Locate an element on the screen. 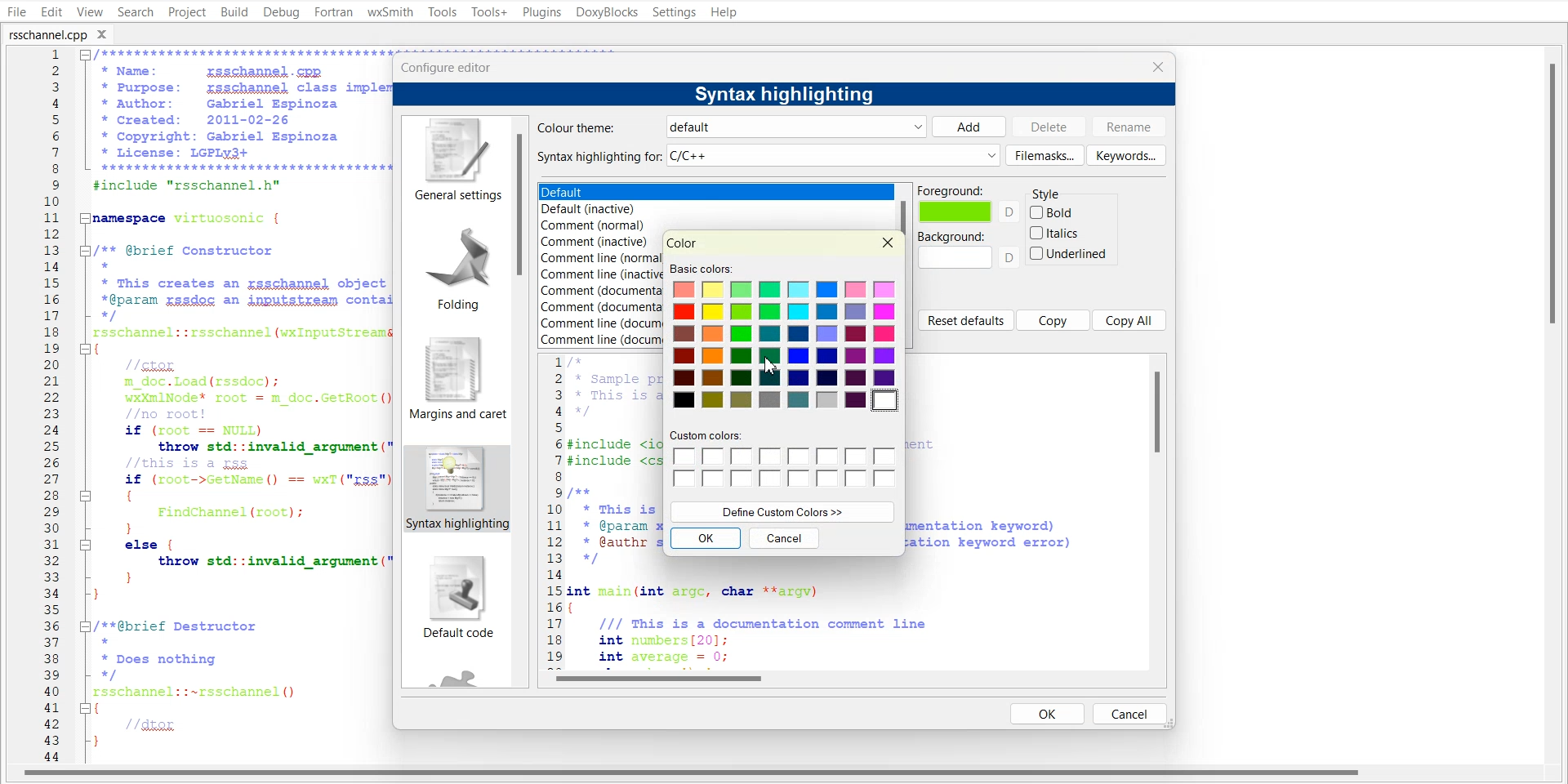  Background is located at coordinates (969, 250).